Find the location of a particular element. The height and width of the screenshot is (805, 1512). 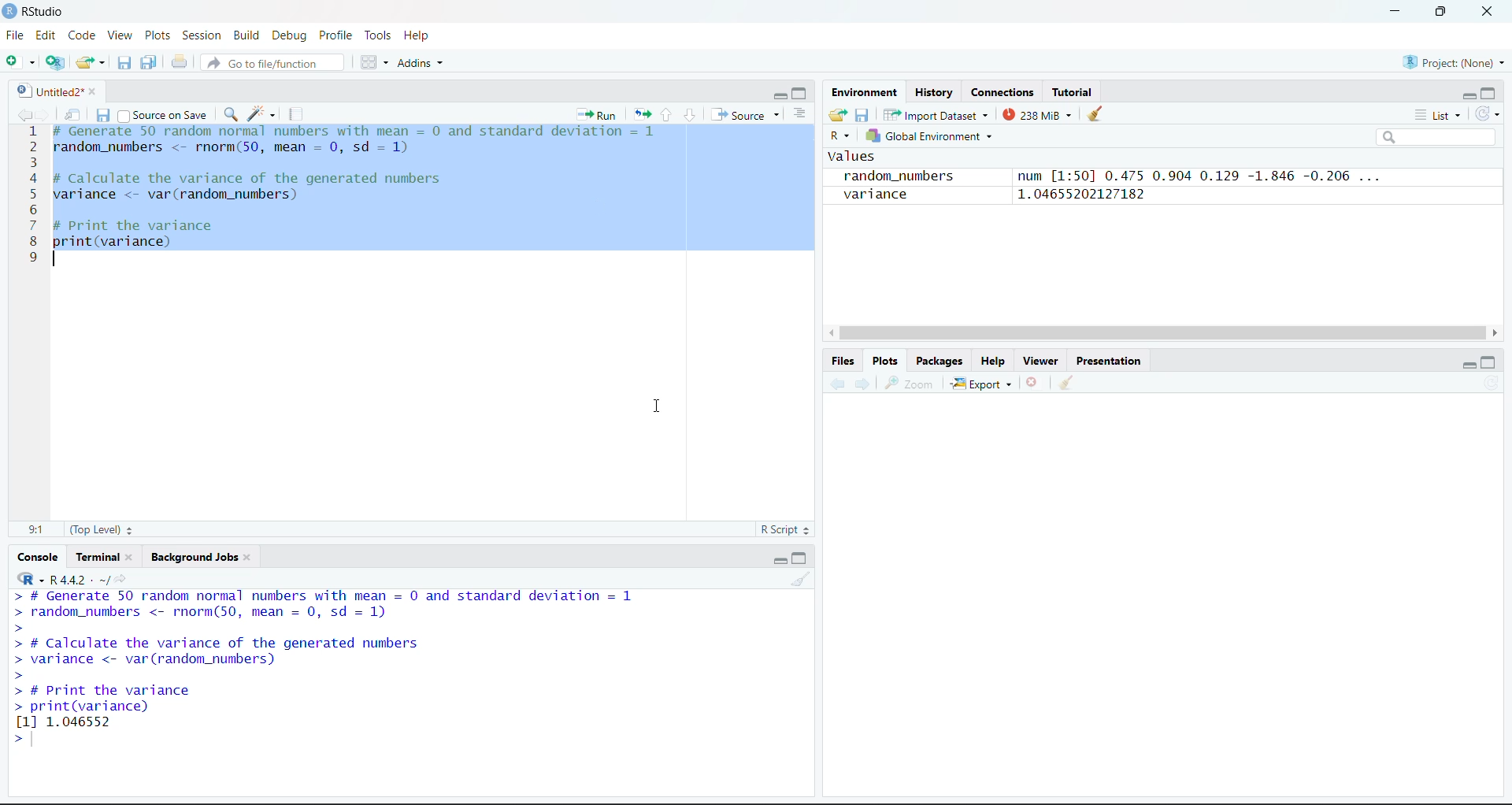

File is located at coordinates (16, 35).